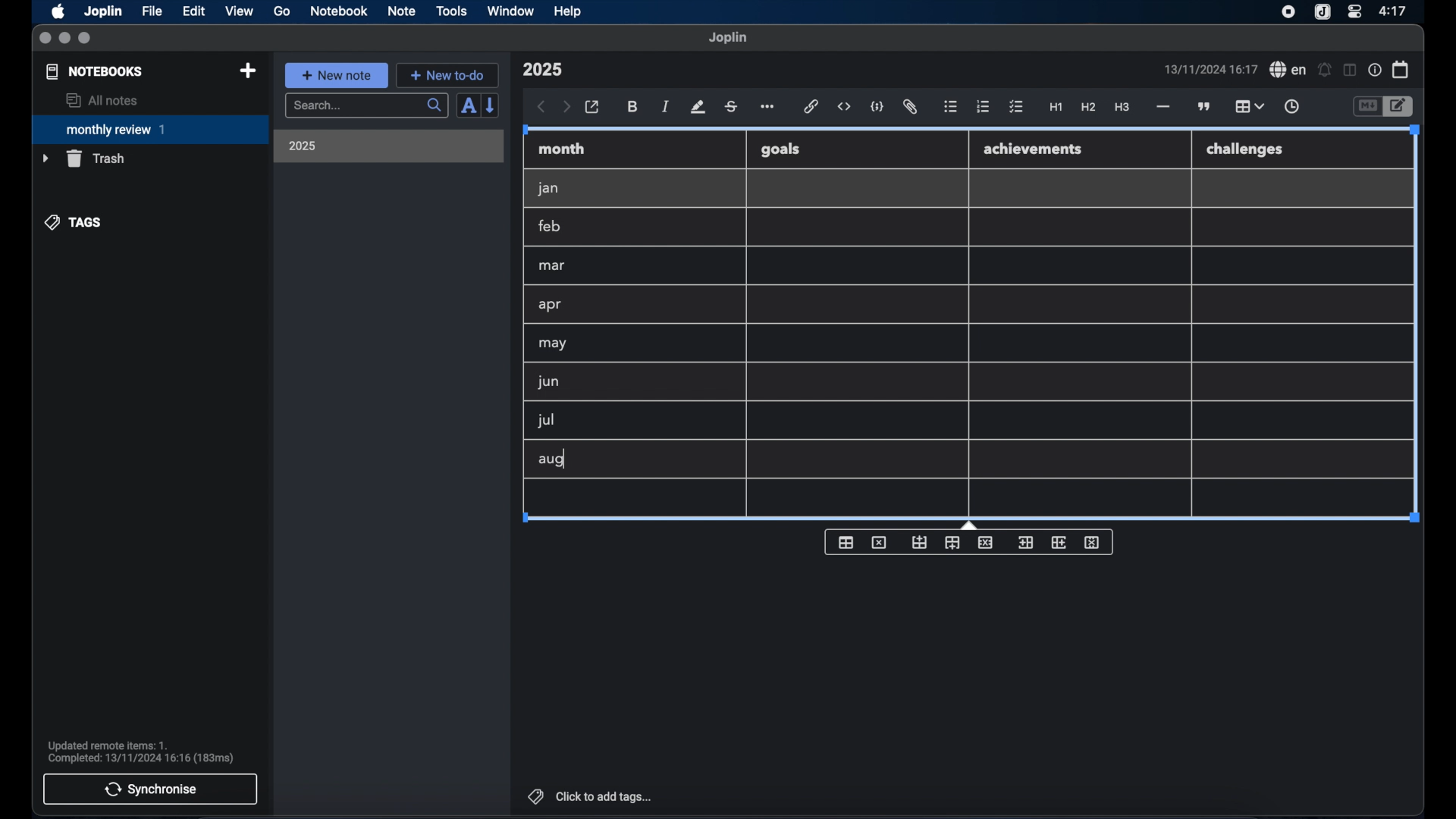 Image resolution: width=1456 pixels, height=819 pixels. Describe the element at coordinates (1210, 69) in the screenshot. I see `date` at that location.